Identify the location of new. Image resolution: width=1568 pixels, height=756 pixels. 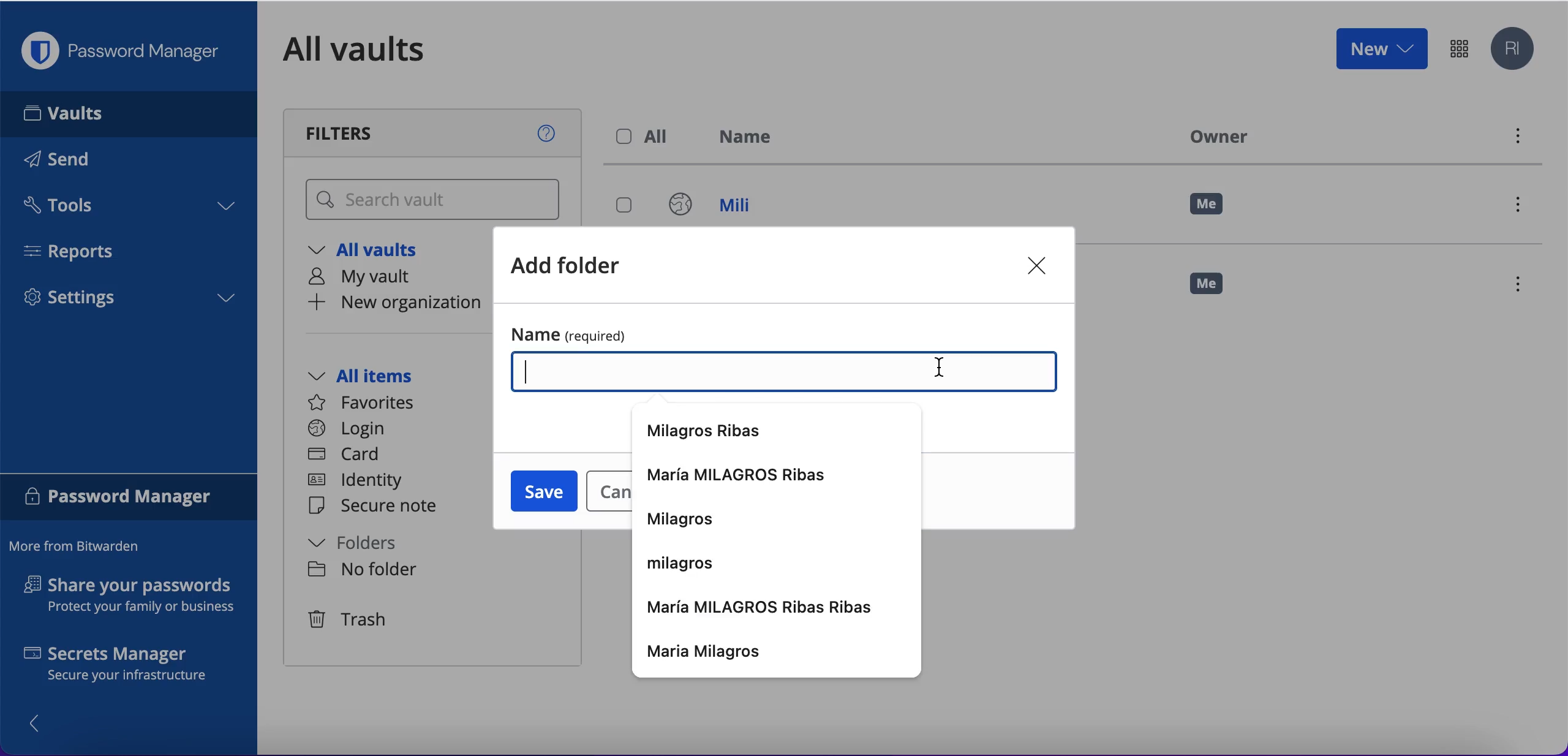
(1381, 48).